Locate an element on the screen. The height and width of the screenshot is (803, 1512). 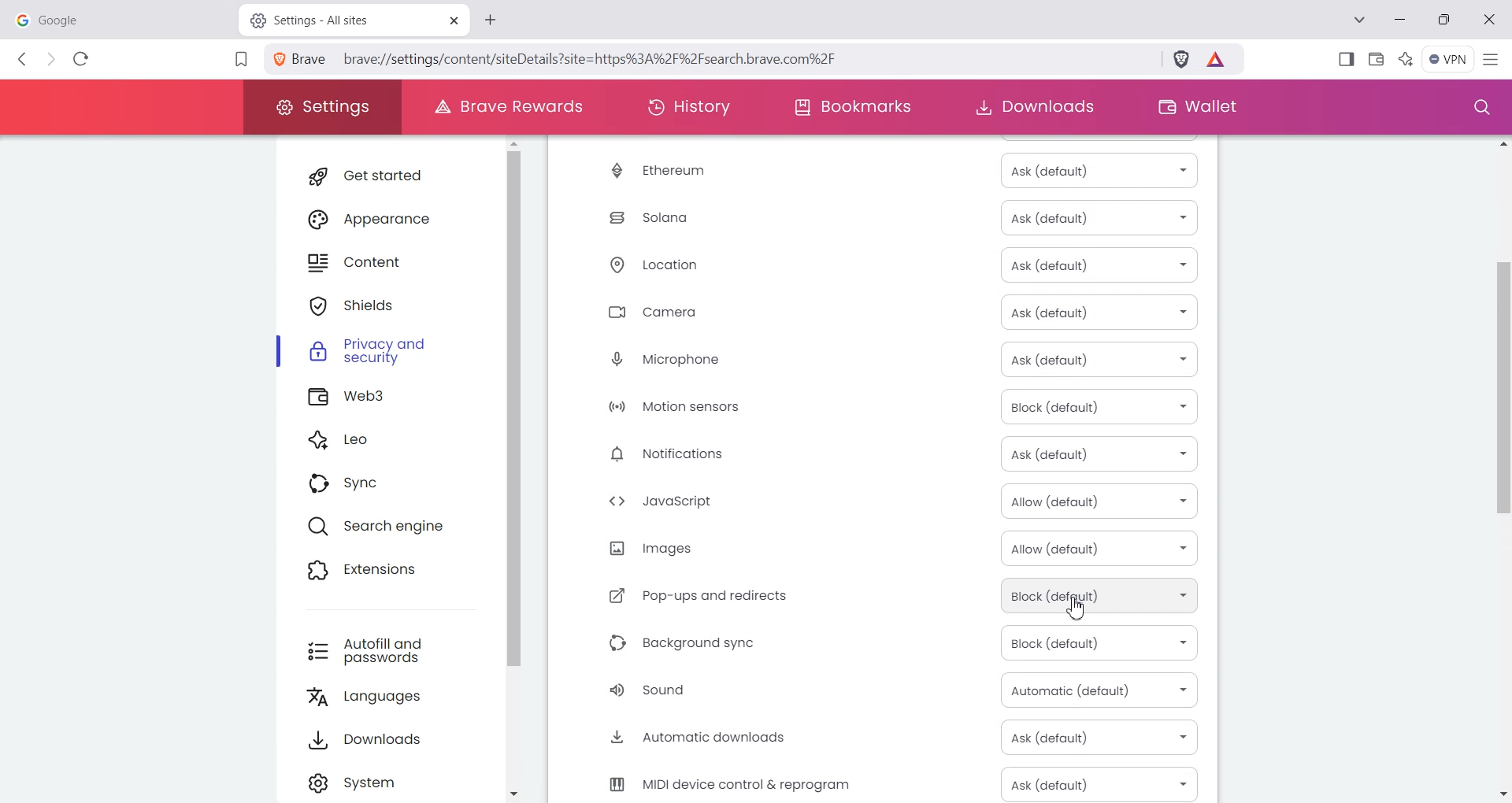
Leo Ai is located at coordinates (1406, 57).